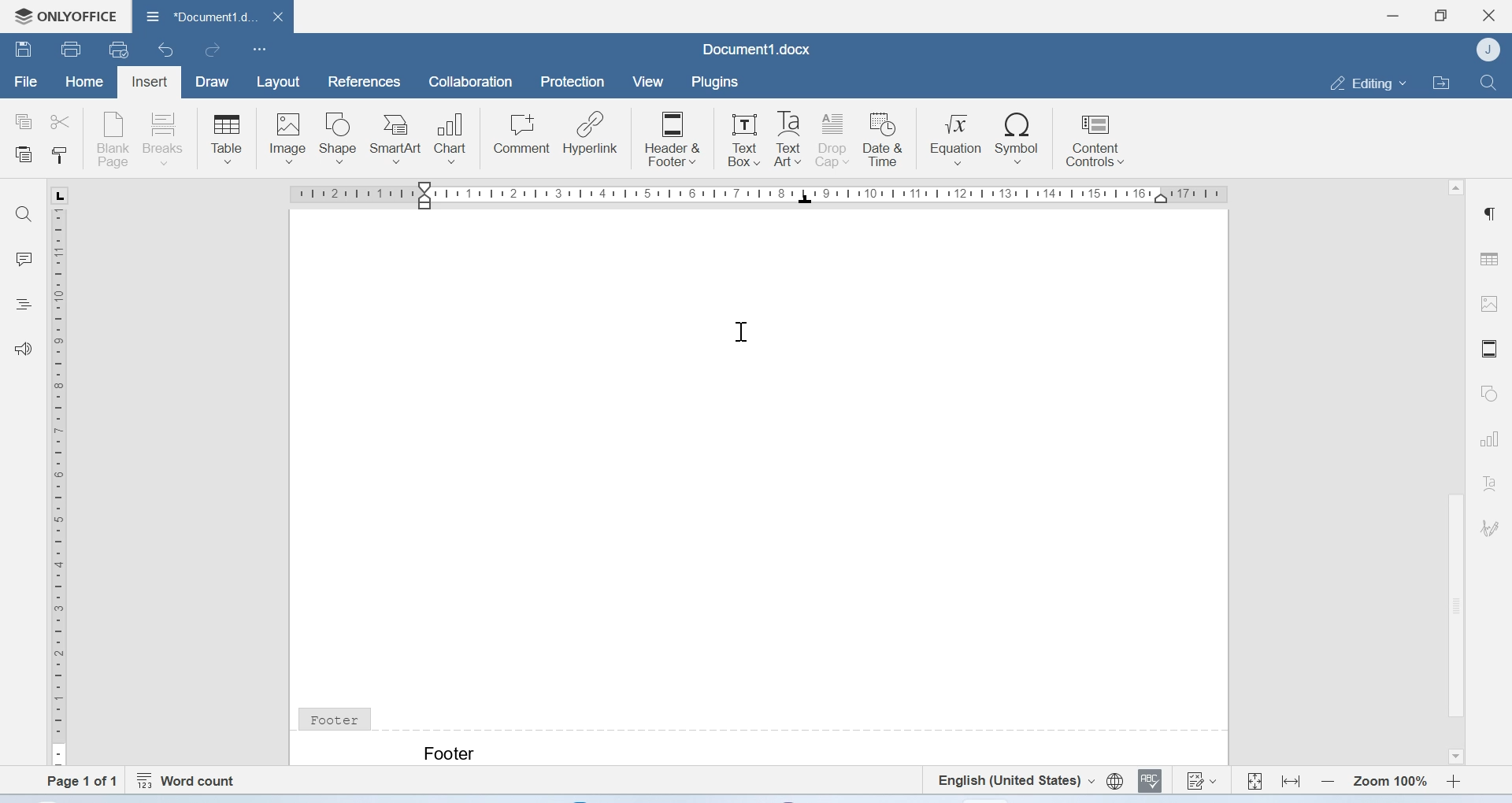  Describe the element at coordinates (287, 137) in the screenshot. I see `Image` at that location.